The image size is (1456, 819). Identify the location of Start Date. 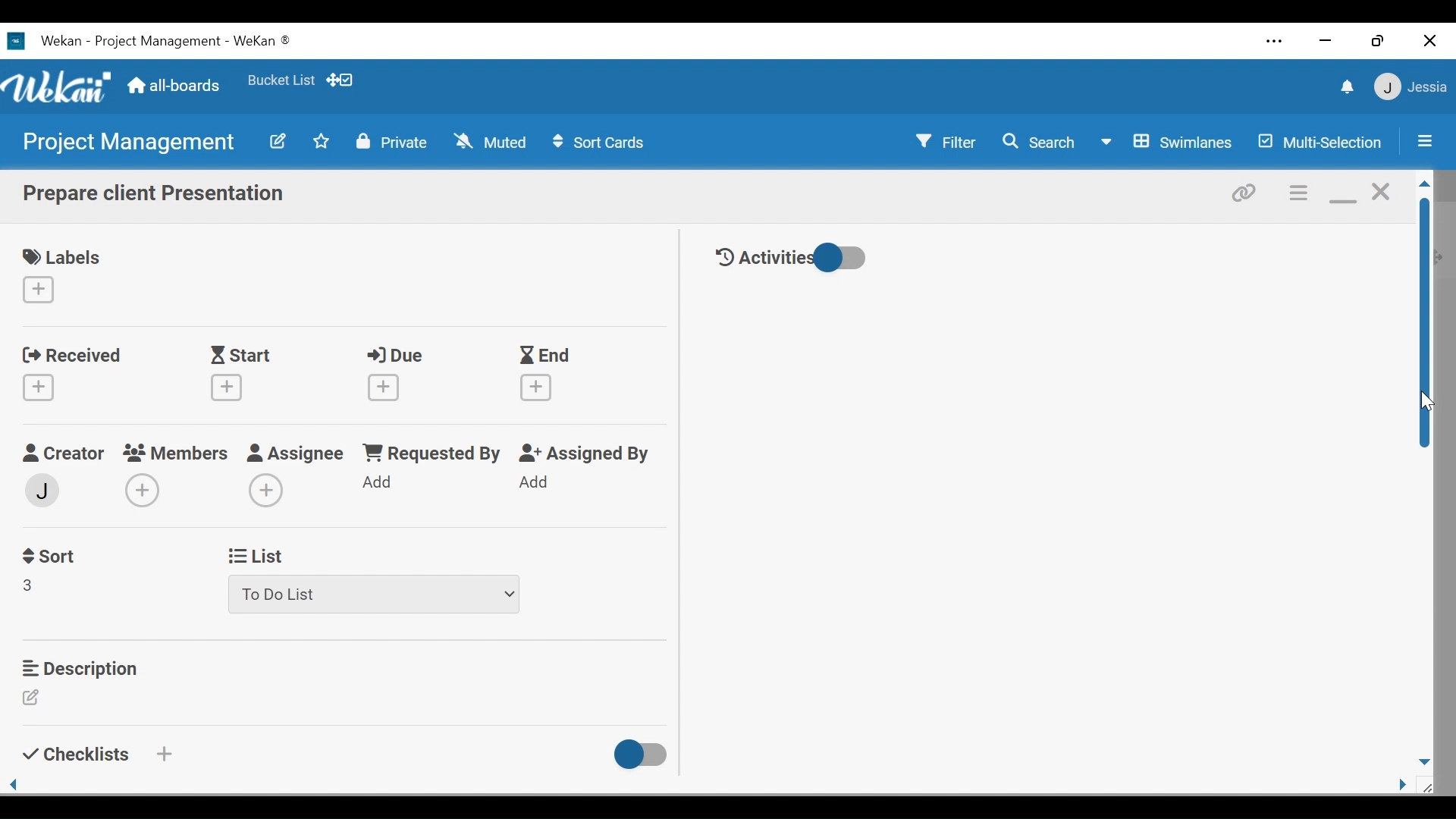
(247, 356).